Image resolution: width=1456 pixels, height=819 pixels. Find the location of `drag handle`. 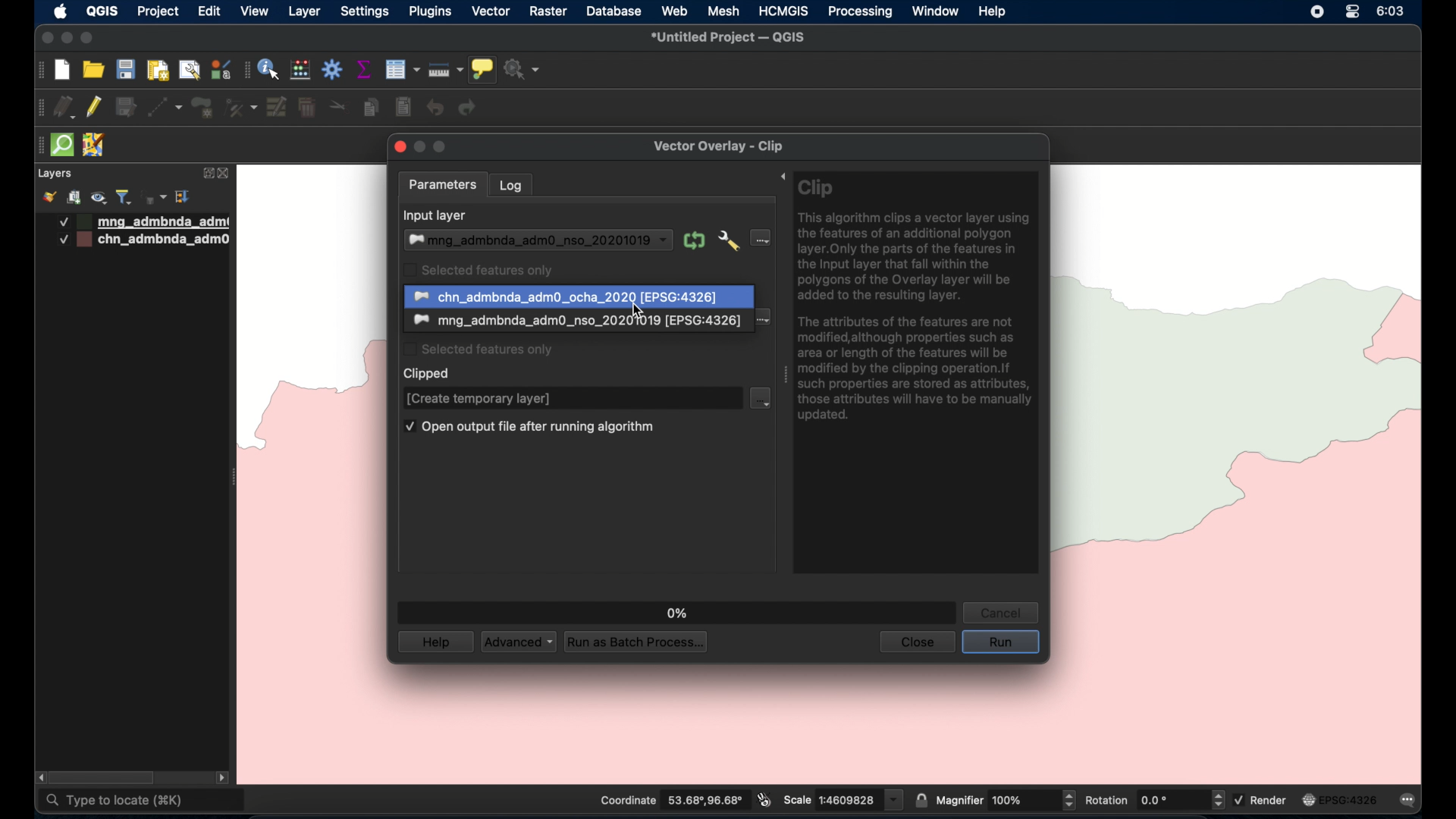

drag handle is located at coordinates (780, 373).